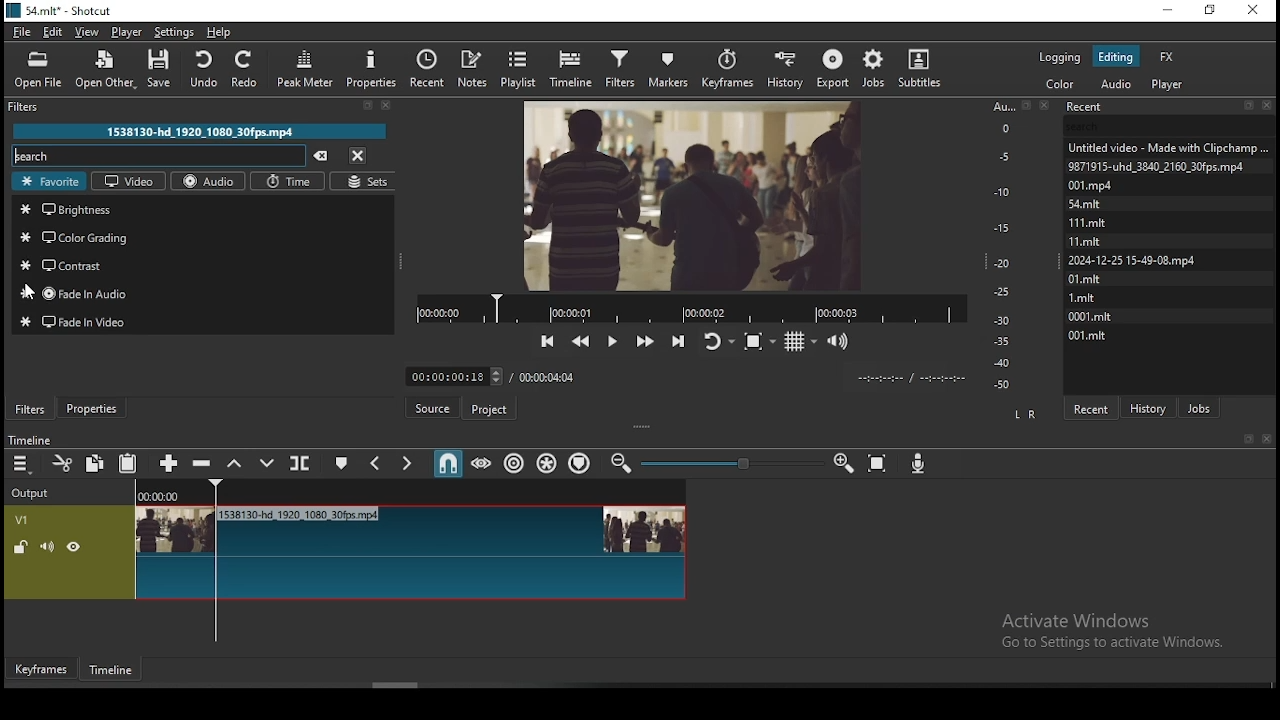 The height and width of the screenshot is (720, 1280). Describe the element at coordinates (1245, 439) in the screenshot. I see `Book mark` at that location.